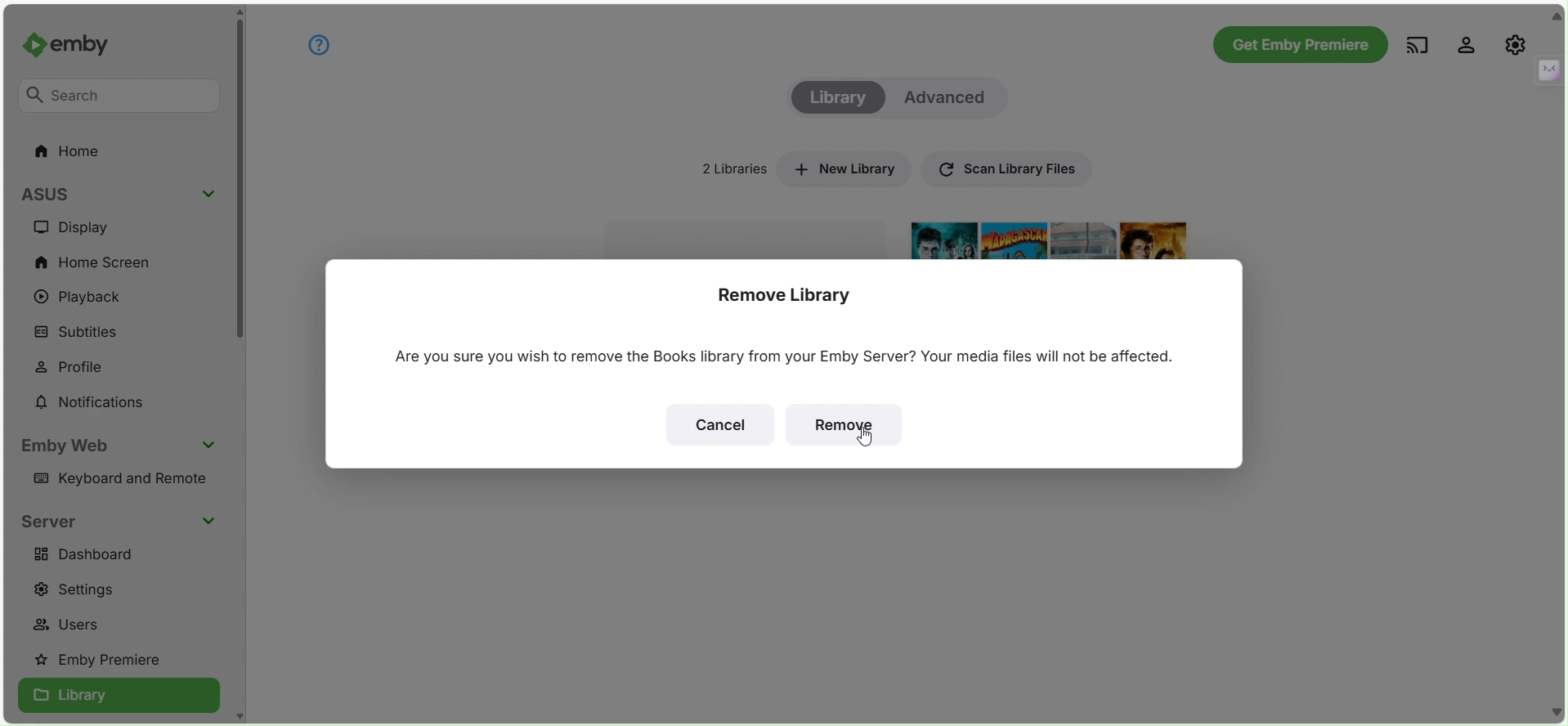 Image resolution: width=1568 pixels, height=726 pixels. Describe the element at coordinates (52, 522) in the screenshot. I see `Server` at that location.